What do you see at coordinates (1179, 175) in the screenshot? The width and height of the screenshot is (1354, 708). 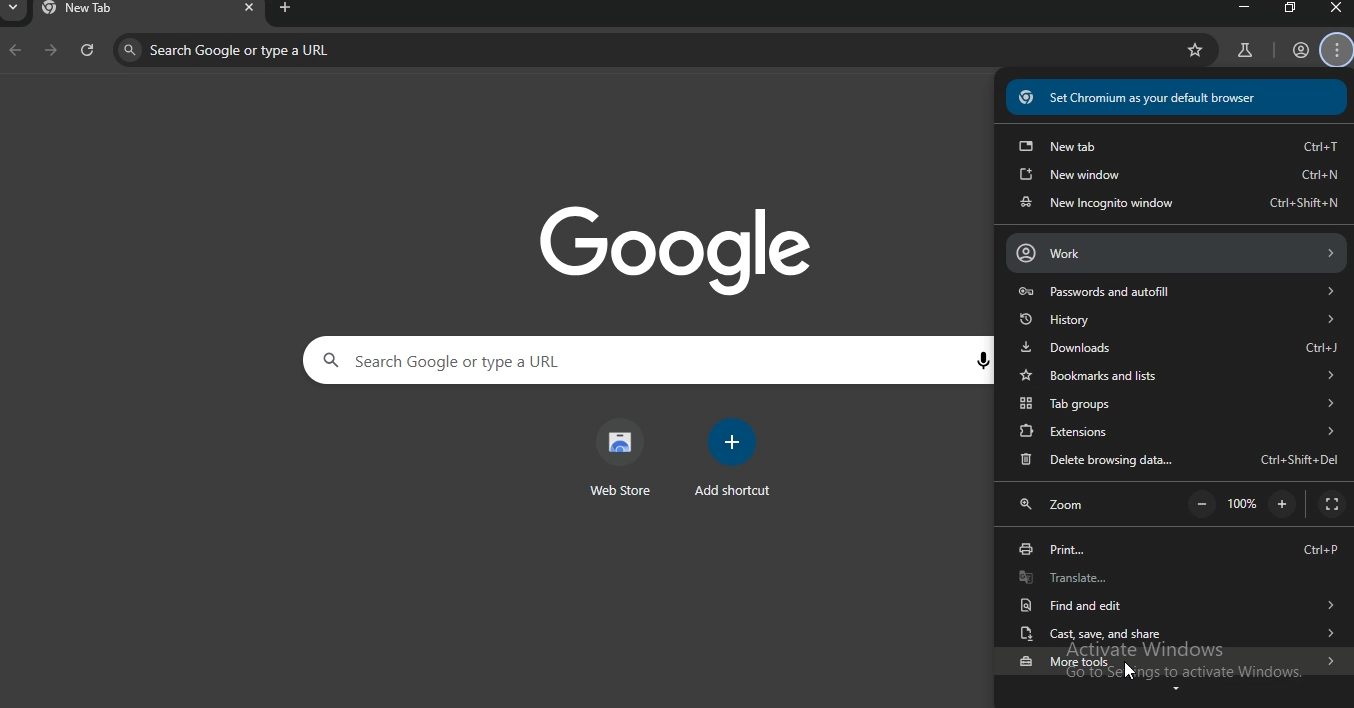 I see `new window` at bounding box center [1179, 175].